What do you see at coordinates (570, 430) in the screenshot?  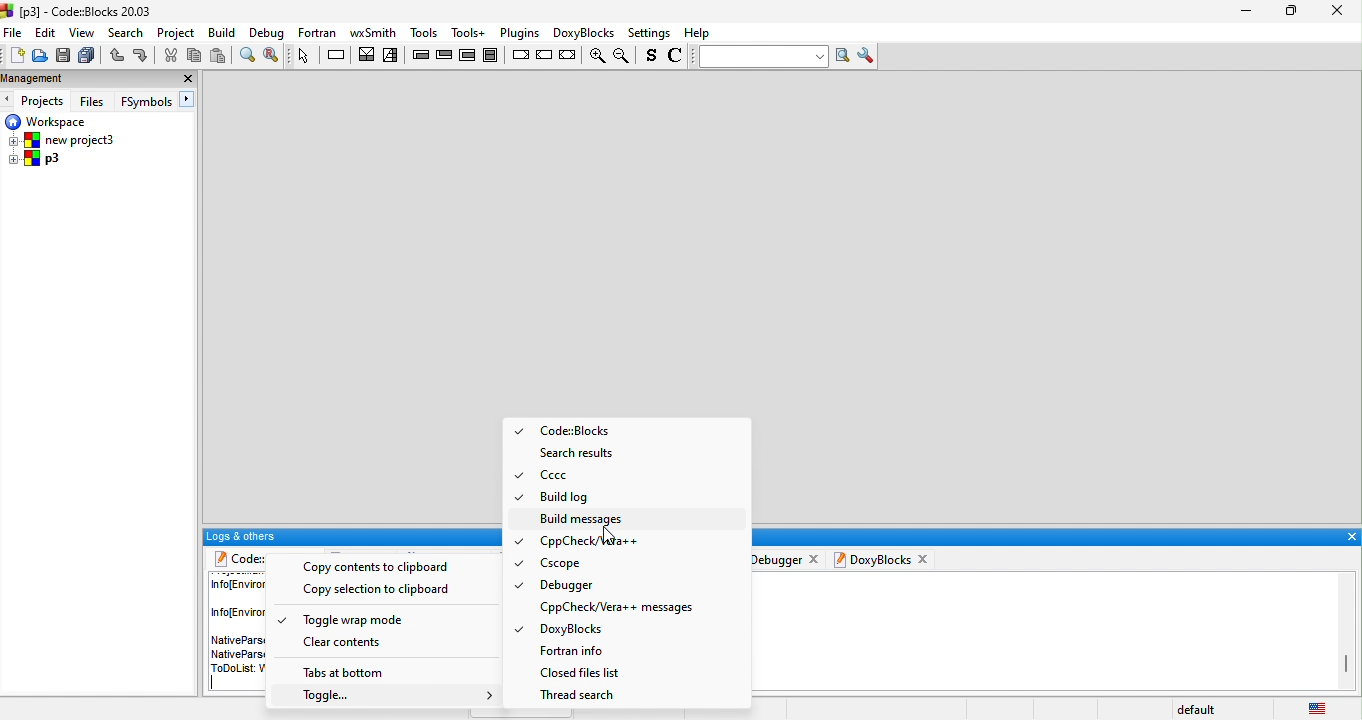 I see `codeblocks` at bounding box center [570, 430].